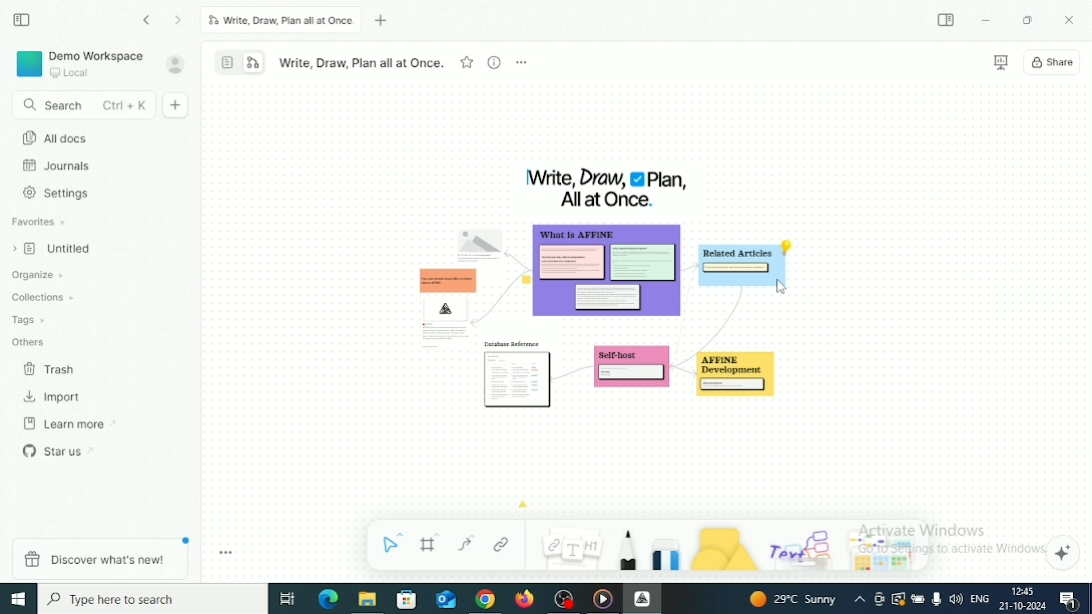 This screenshot has height=614, width=1092. What do you see at coordinates (70, 424) in the screenshot?
I see `Learn more` at bounding box center [70, 424].